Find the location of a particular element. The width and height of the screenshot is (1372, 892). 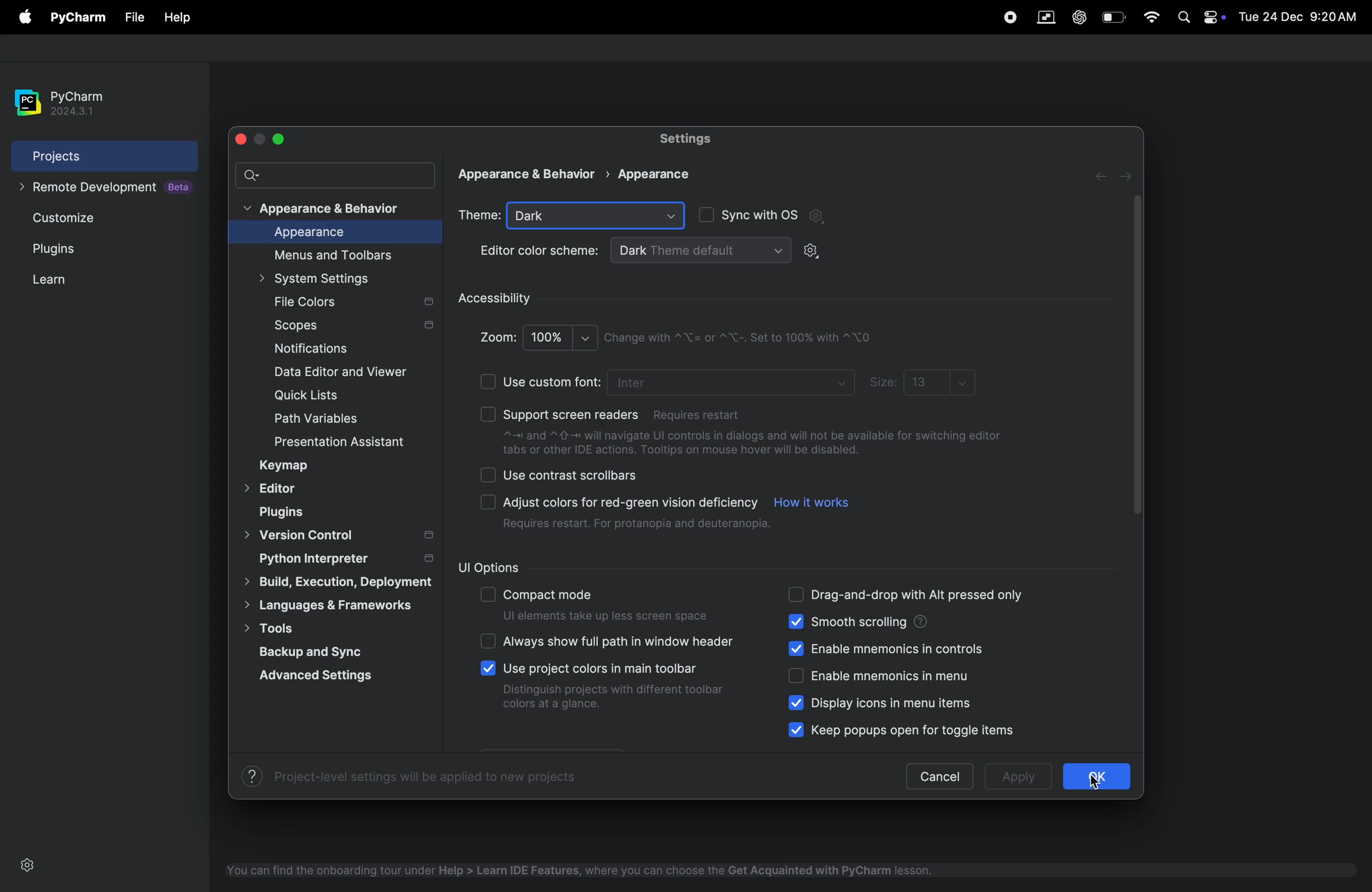

plugins is located at coordinates (286, 512).